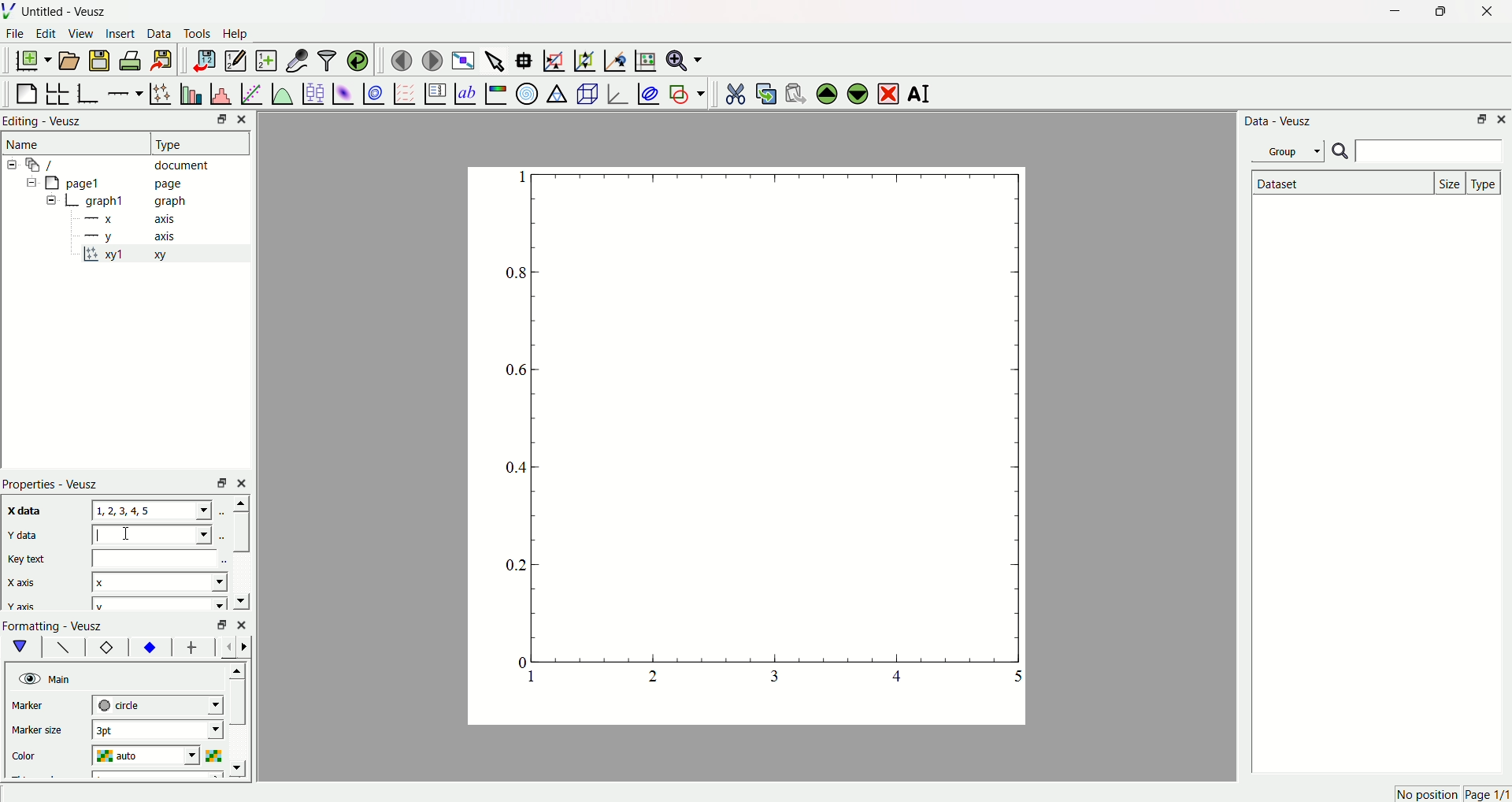 The image size is (1512, 802). Describe the element at coordinates (160, 581) in the screenshot. I see `x` at that location.